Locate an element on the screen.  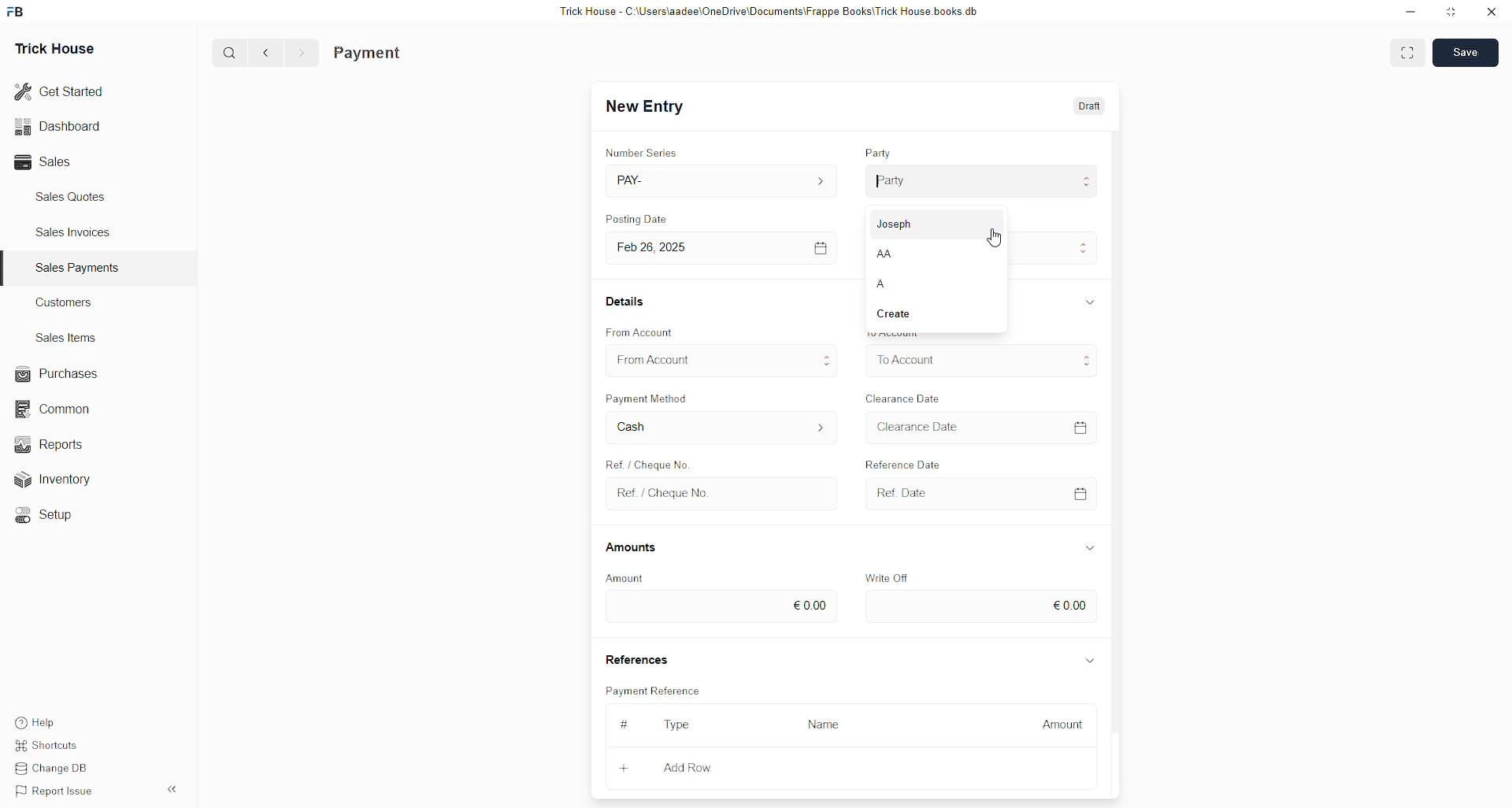
Save is located at coordinates (1465, 52).